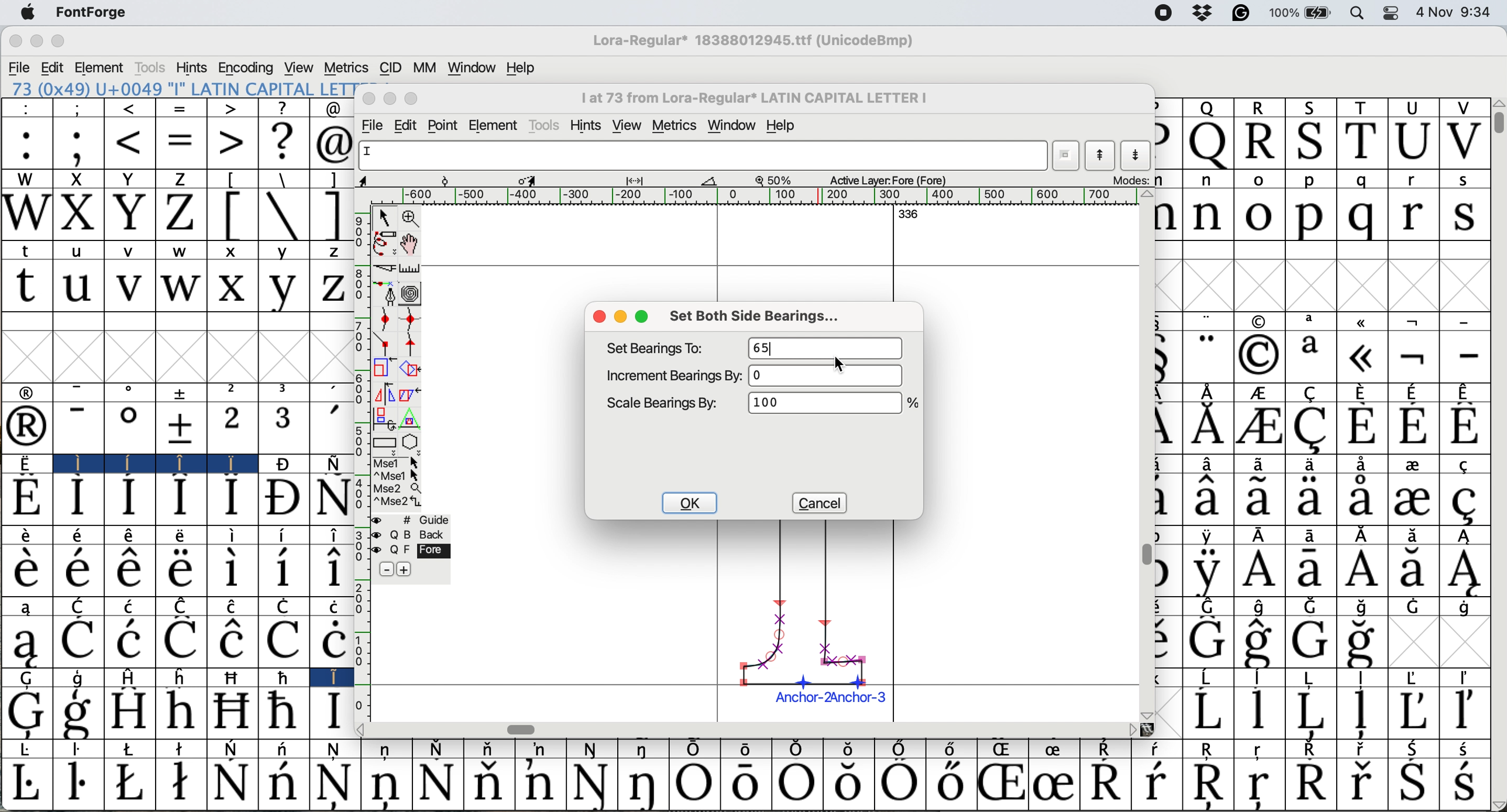 The width and height of the screenshot is (1507, 812). Describe the element at coordinates (1246, 14) in the screenshot. I see `grammarly` at that location.